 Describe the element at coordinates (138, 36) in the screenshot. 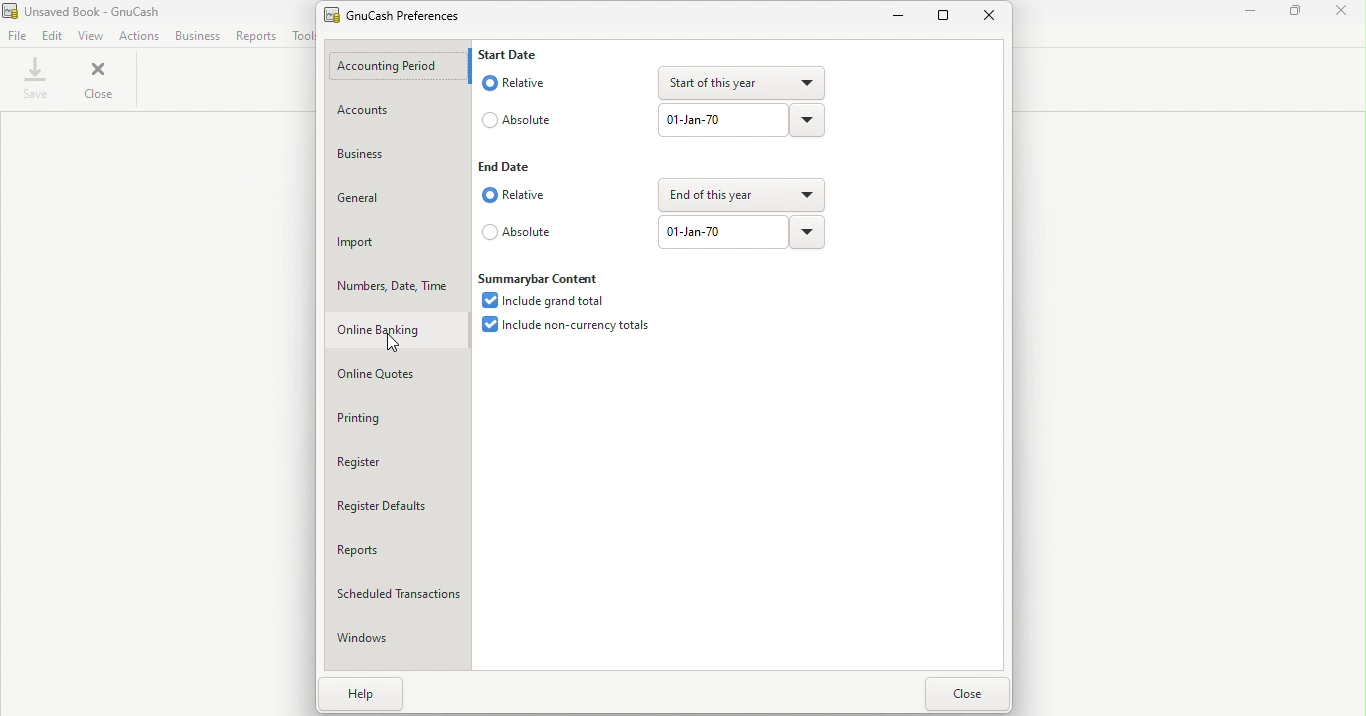

I see `Actions` at that location.